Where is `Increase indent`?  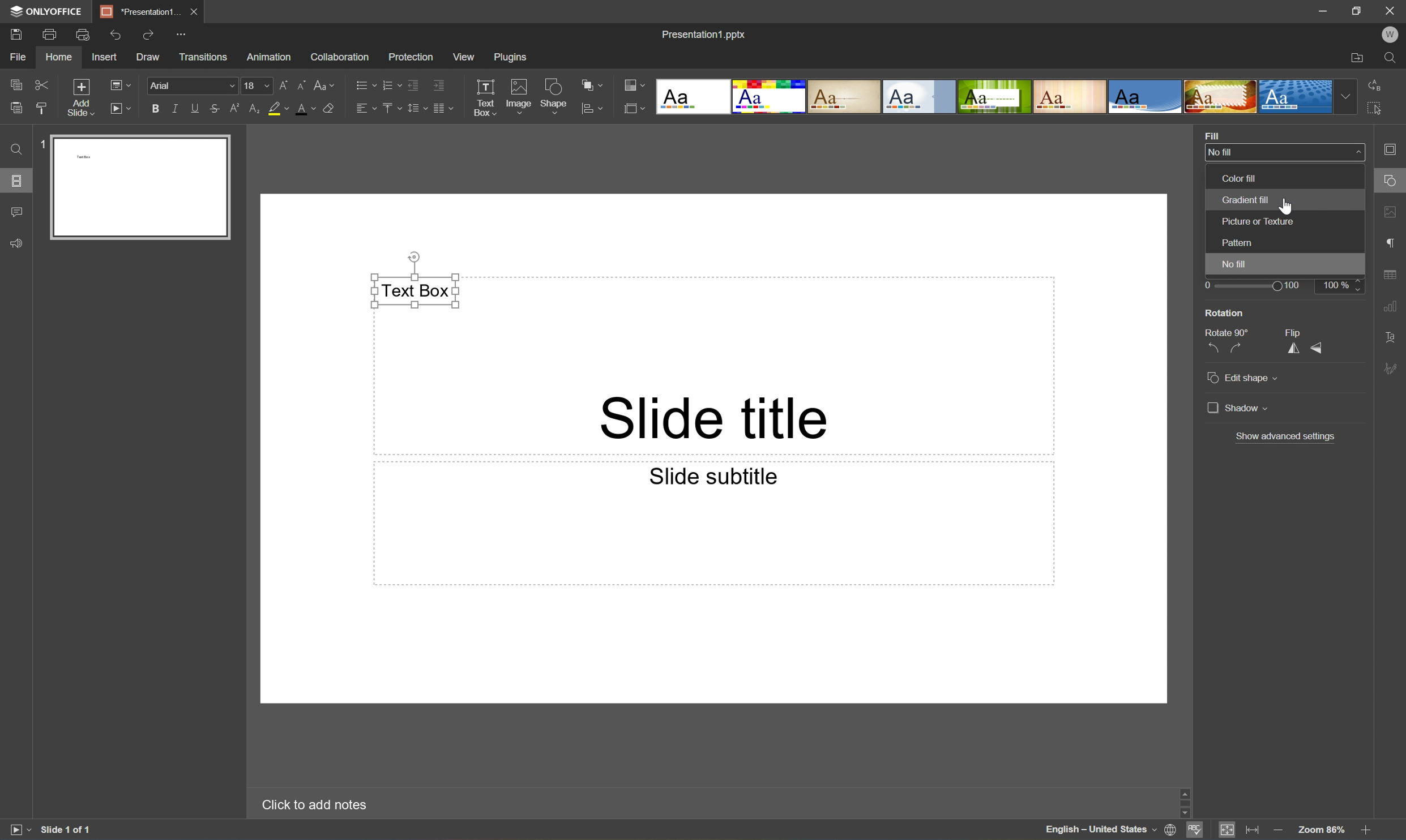 Increase indent is located at coordinates (439, 85).